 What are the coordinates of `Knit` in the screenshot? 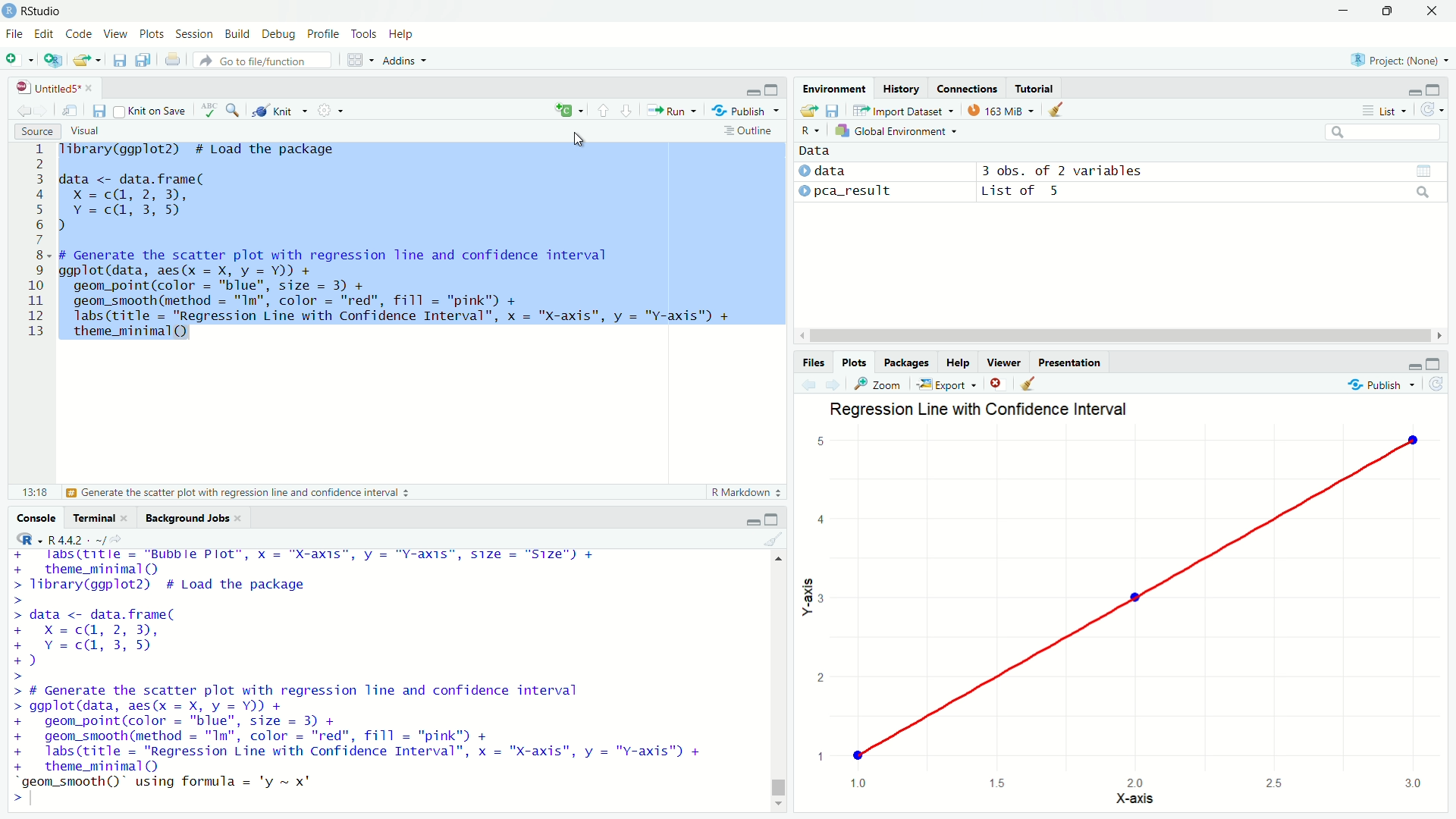 It's located at (280, 109).